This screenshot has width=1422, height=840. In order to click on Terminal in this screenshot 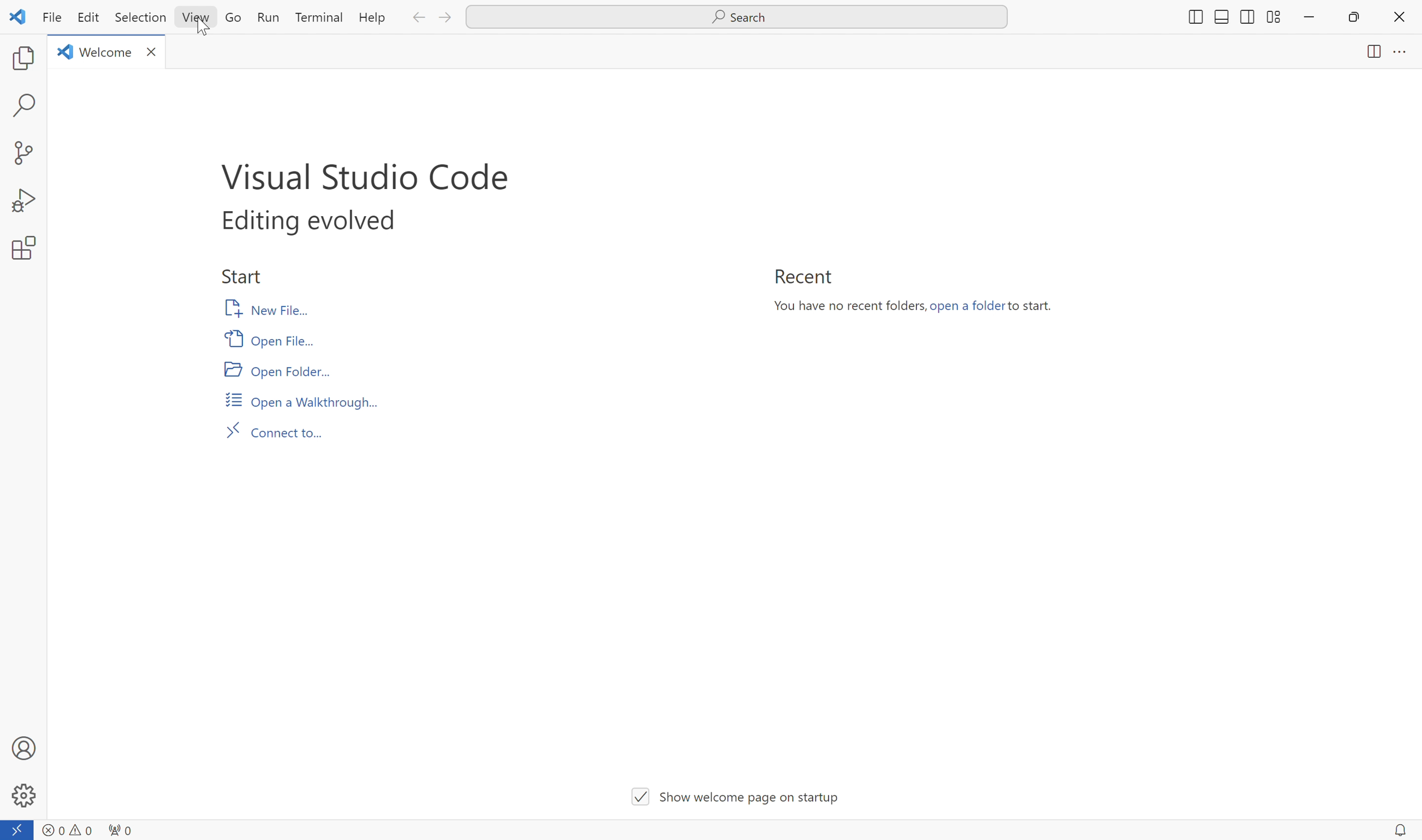, I will do `click(318, 19)`.